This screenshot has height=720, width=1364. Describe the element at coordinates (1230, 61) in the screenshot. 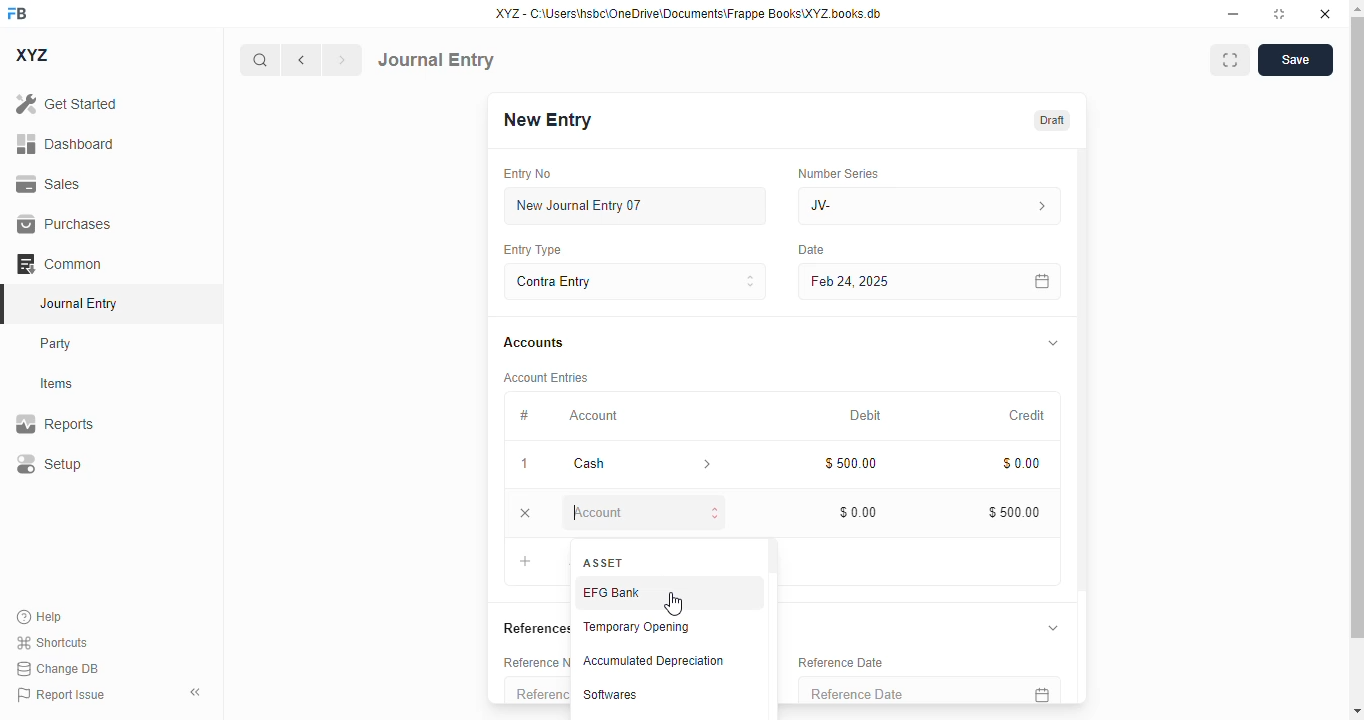

I see `maximise window` at that location.